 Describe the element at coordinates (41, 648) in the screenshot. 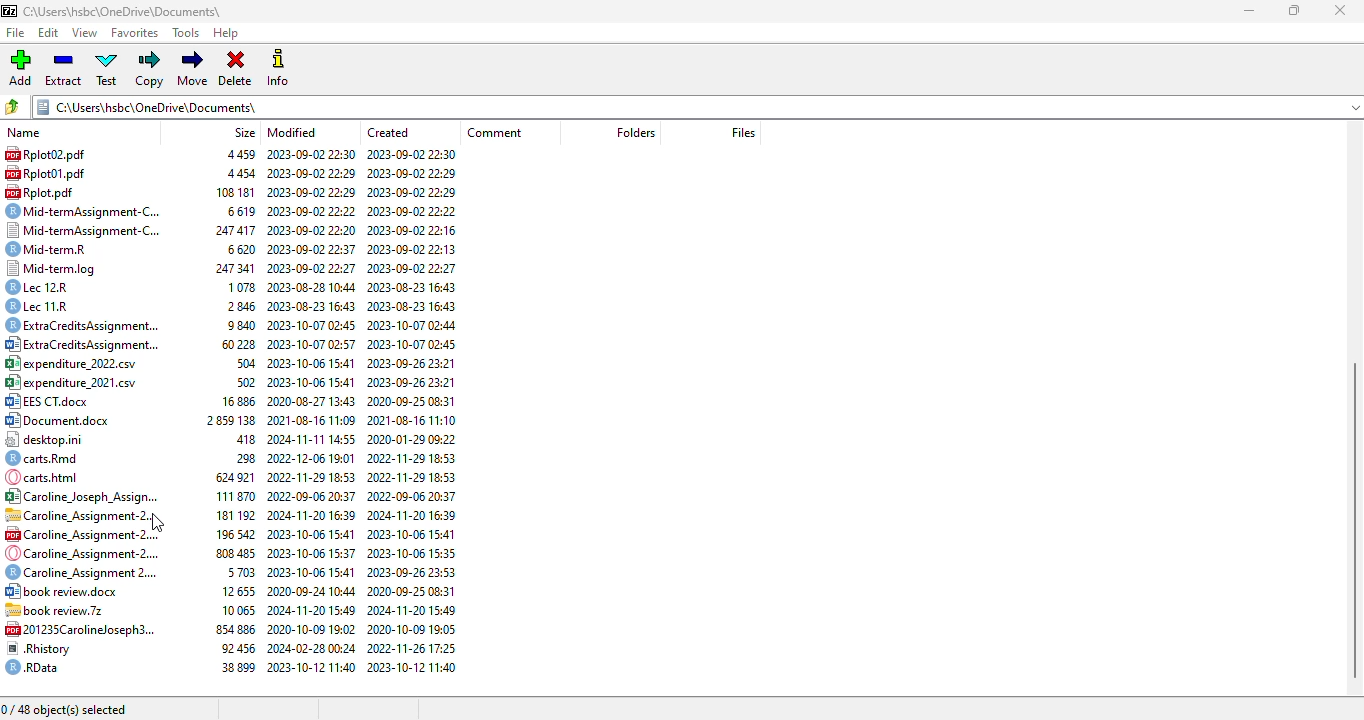

I see `rhistory` at that location.